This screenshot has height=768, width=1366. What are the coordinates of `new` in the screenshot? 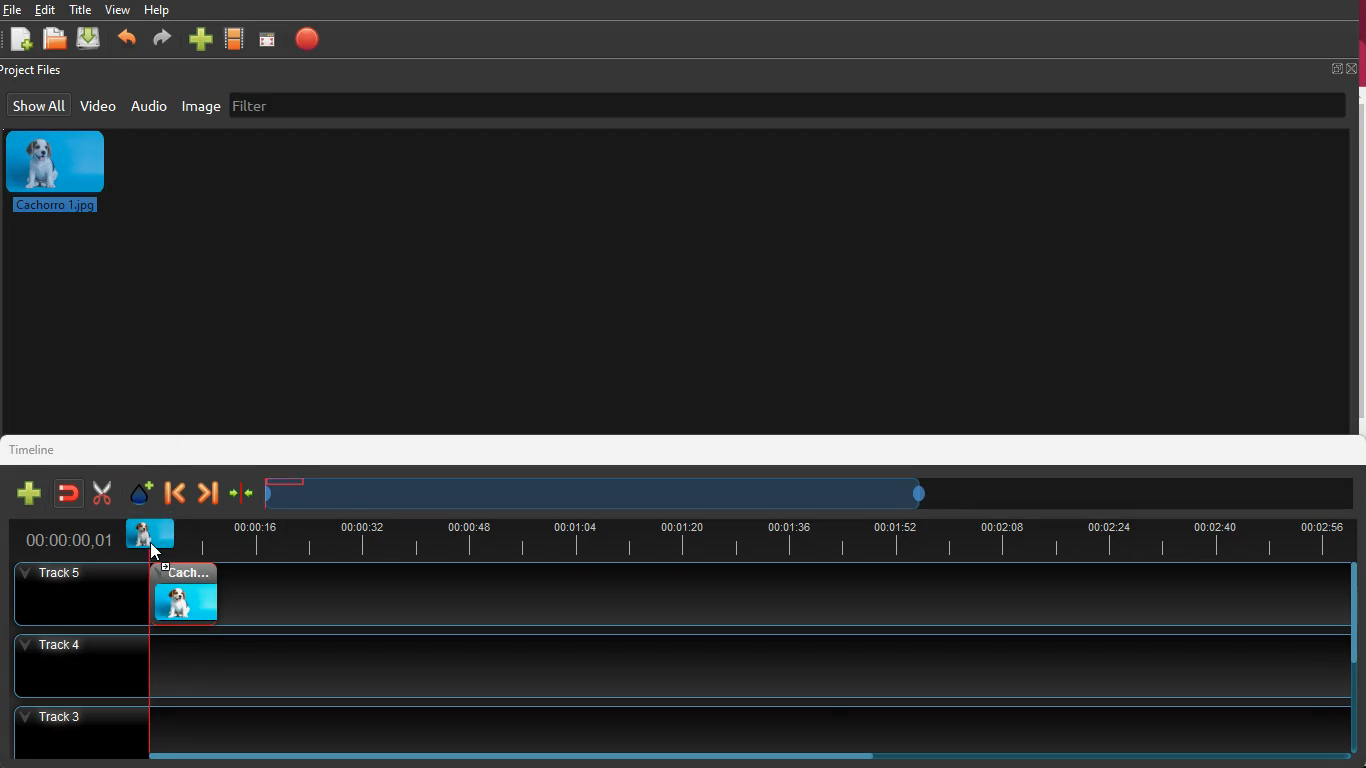 It's located at (20, 41).